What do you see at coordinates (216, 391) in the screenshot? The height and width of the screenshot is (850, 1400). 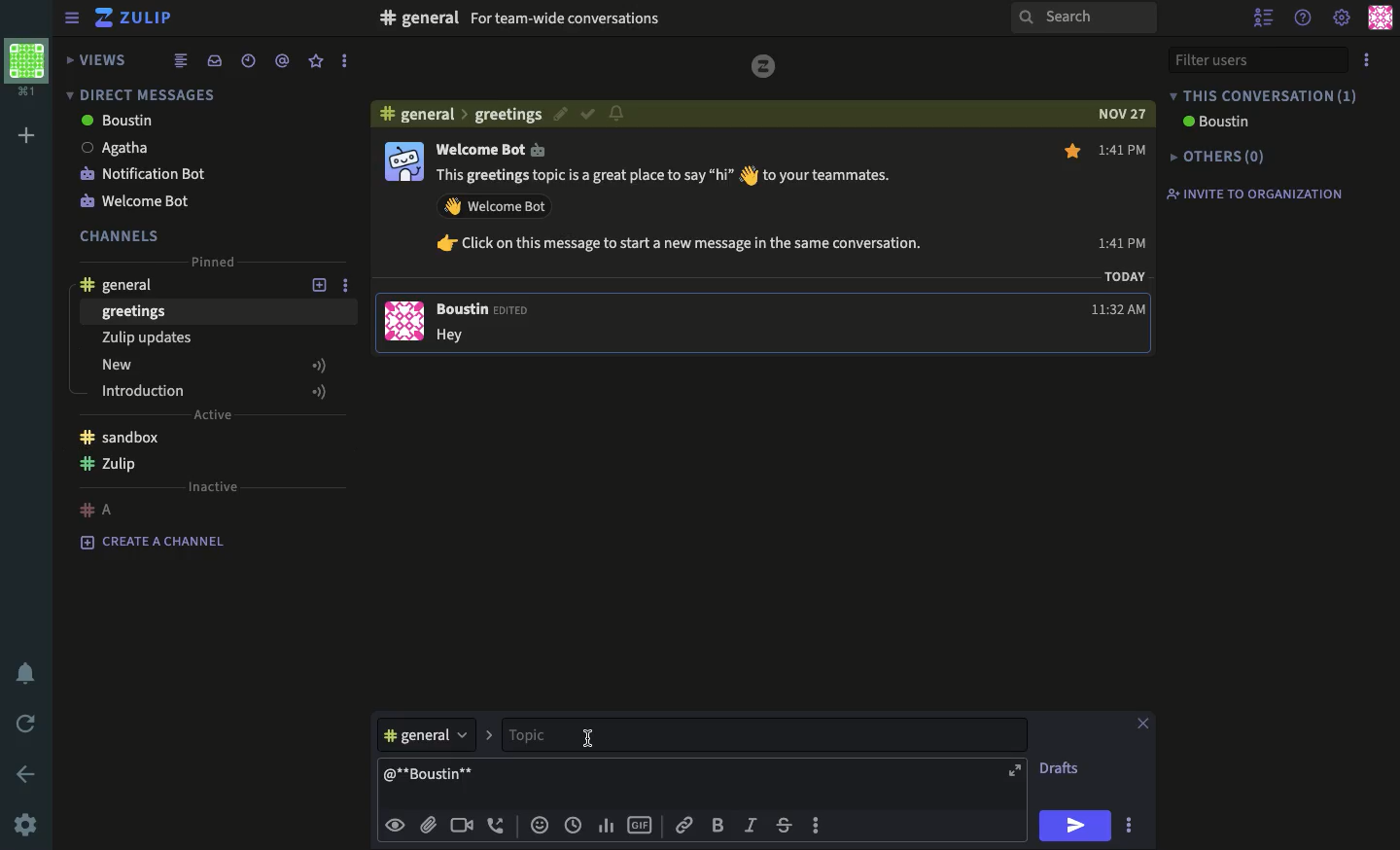 I see `introduction` at bounding box center [216, 391].